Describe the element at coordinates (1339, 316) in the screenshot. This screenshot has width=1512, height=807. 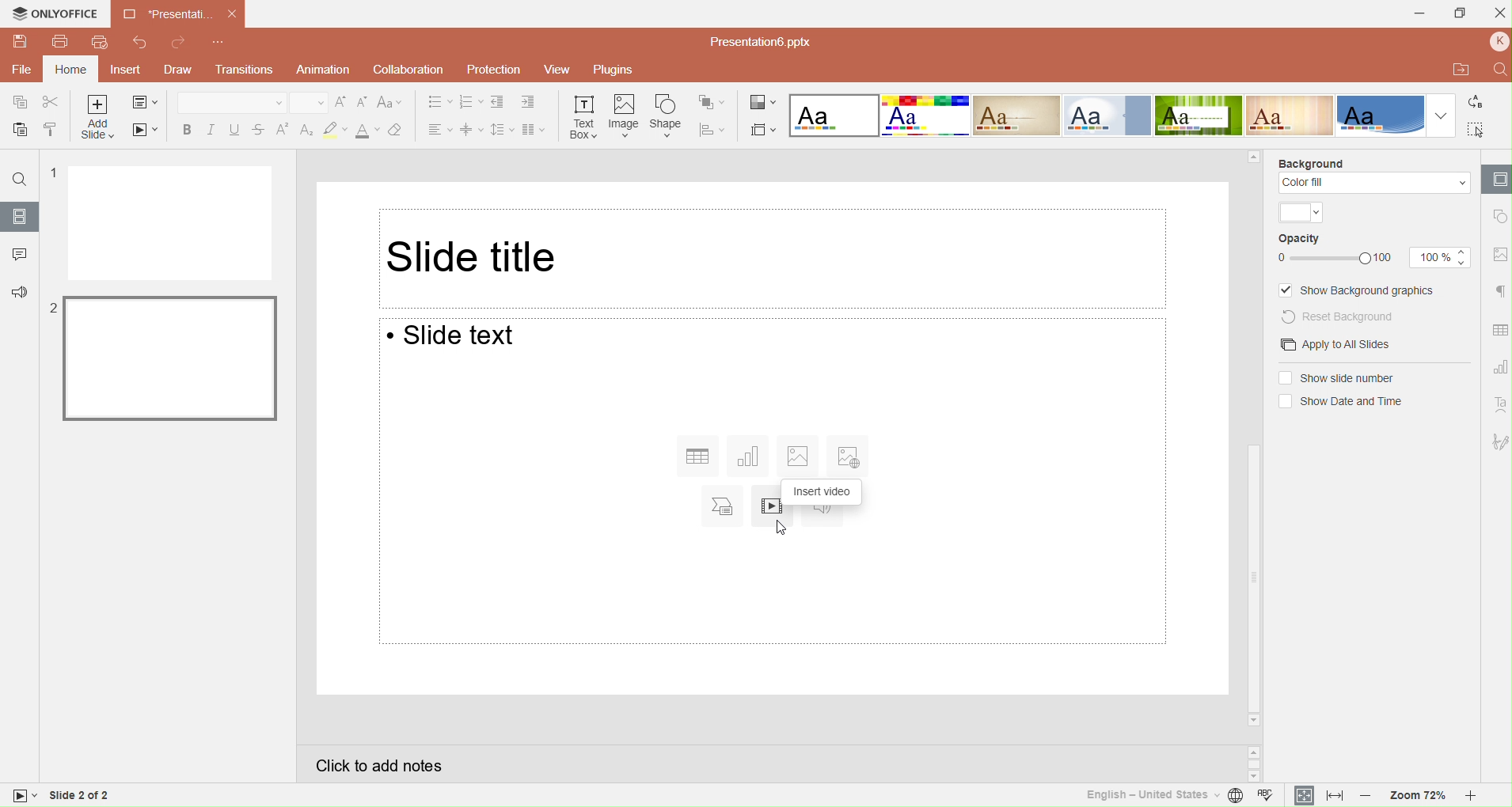
I see `Reset background` at that location.